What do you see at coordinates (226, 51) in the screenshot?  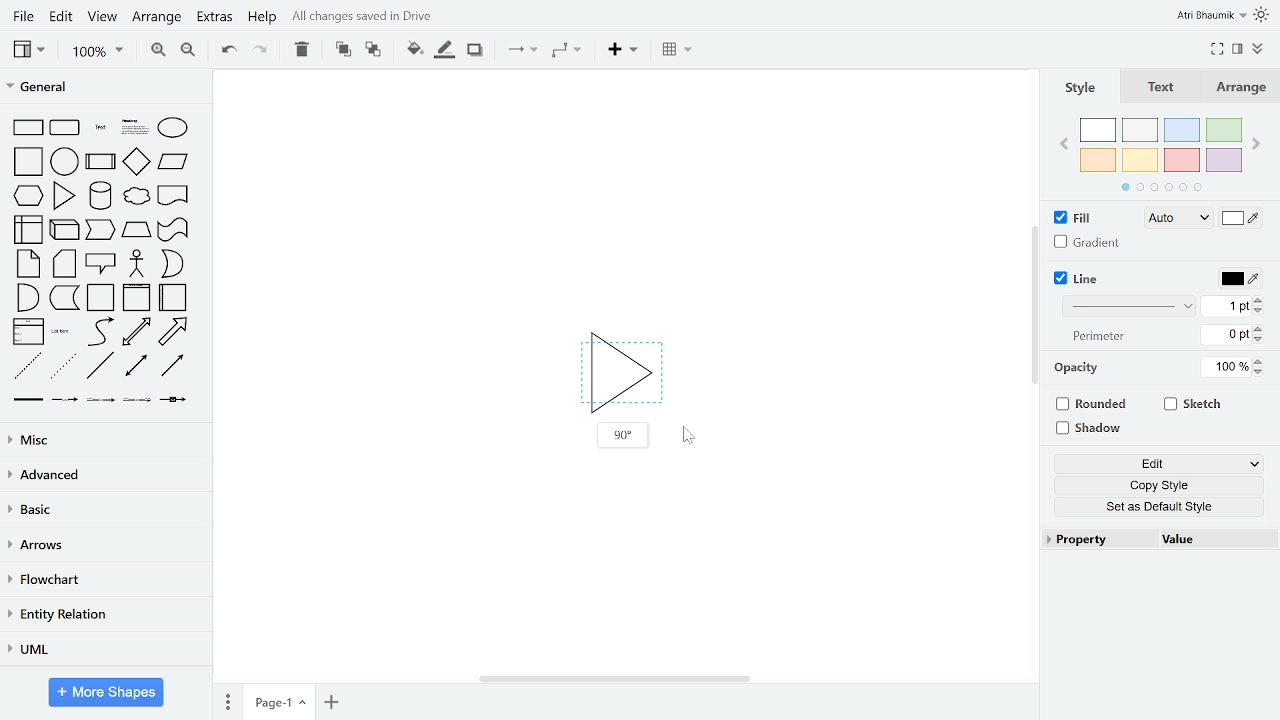 I see `undo` at bounding box center [226, 51].